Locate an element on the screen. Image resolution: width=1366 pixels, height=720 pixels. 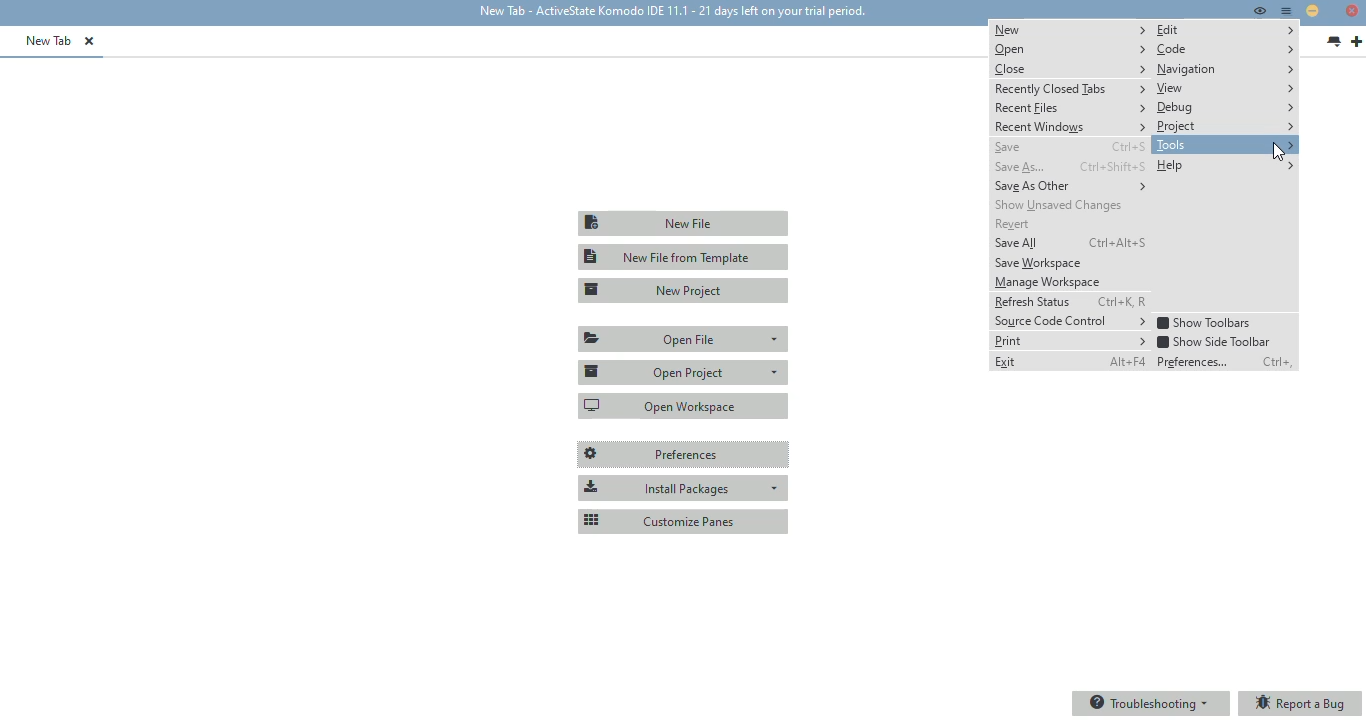
open is located at coordinates (1069, 49).